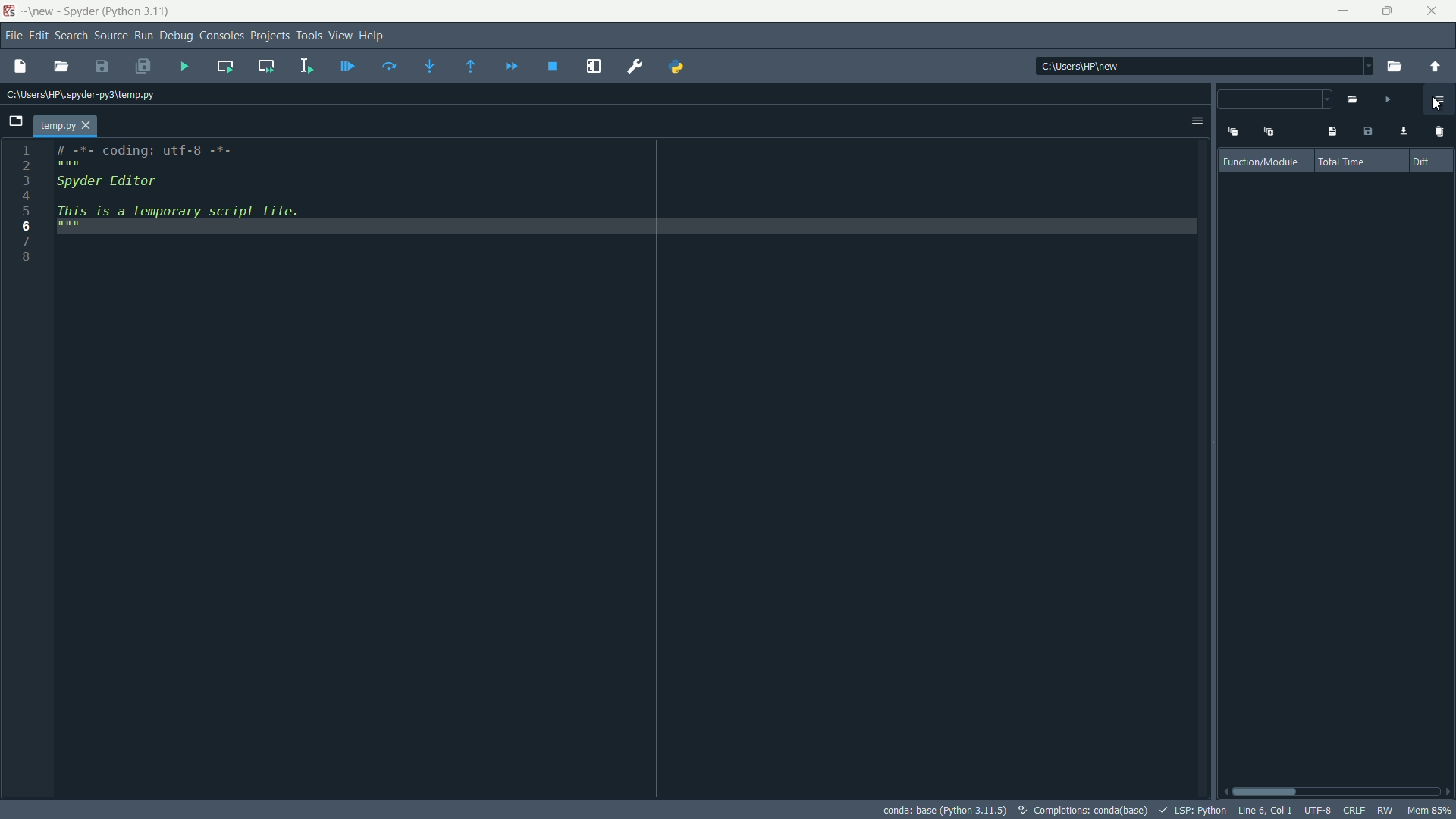  Describe the element at coordinates (472, 67) in the screenshot. I see `continue execution until next function` at that location.